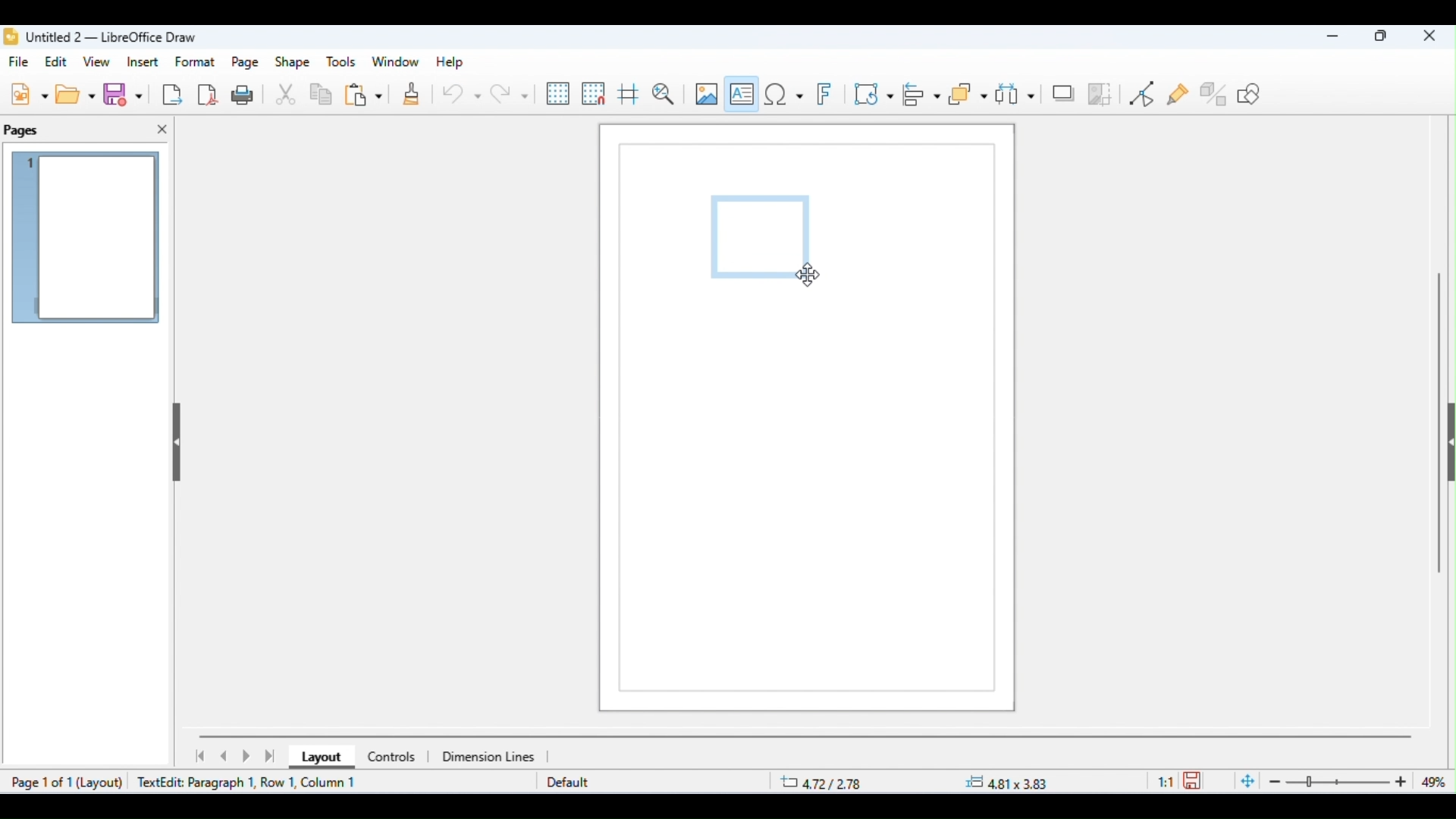  What do you see at coordinates (764, 238) in the screenshot?
I see `text box appeared` at bounding box center [764, 238].